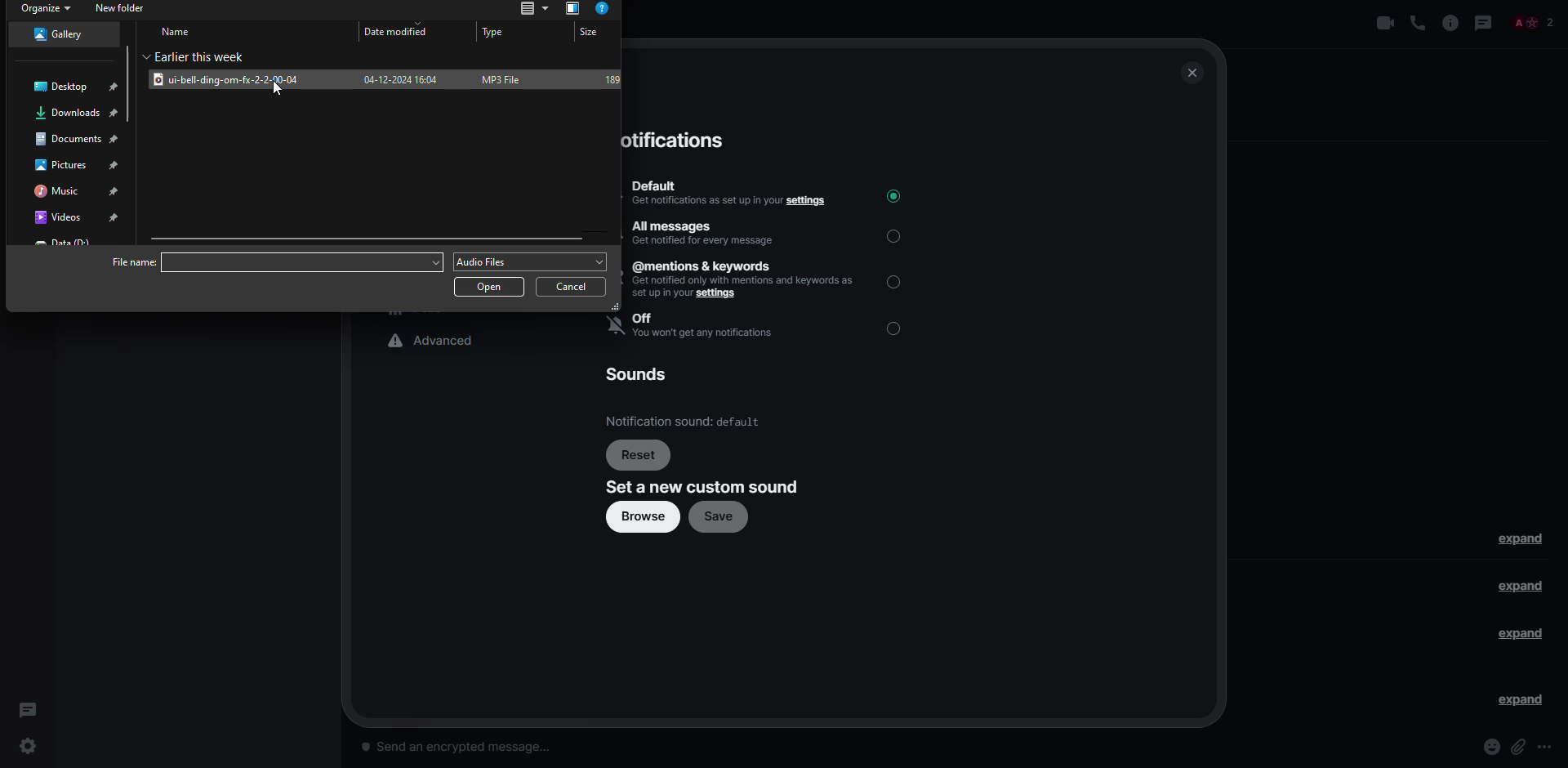 This screenshot has width=1568, height=768. I want to click on File name, so click(274, 263).